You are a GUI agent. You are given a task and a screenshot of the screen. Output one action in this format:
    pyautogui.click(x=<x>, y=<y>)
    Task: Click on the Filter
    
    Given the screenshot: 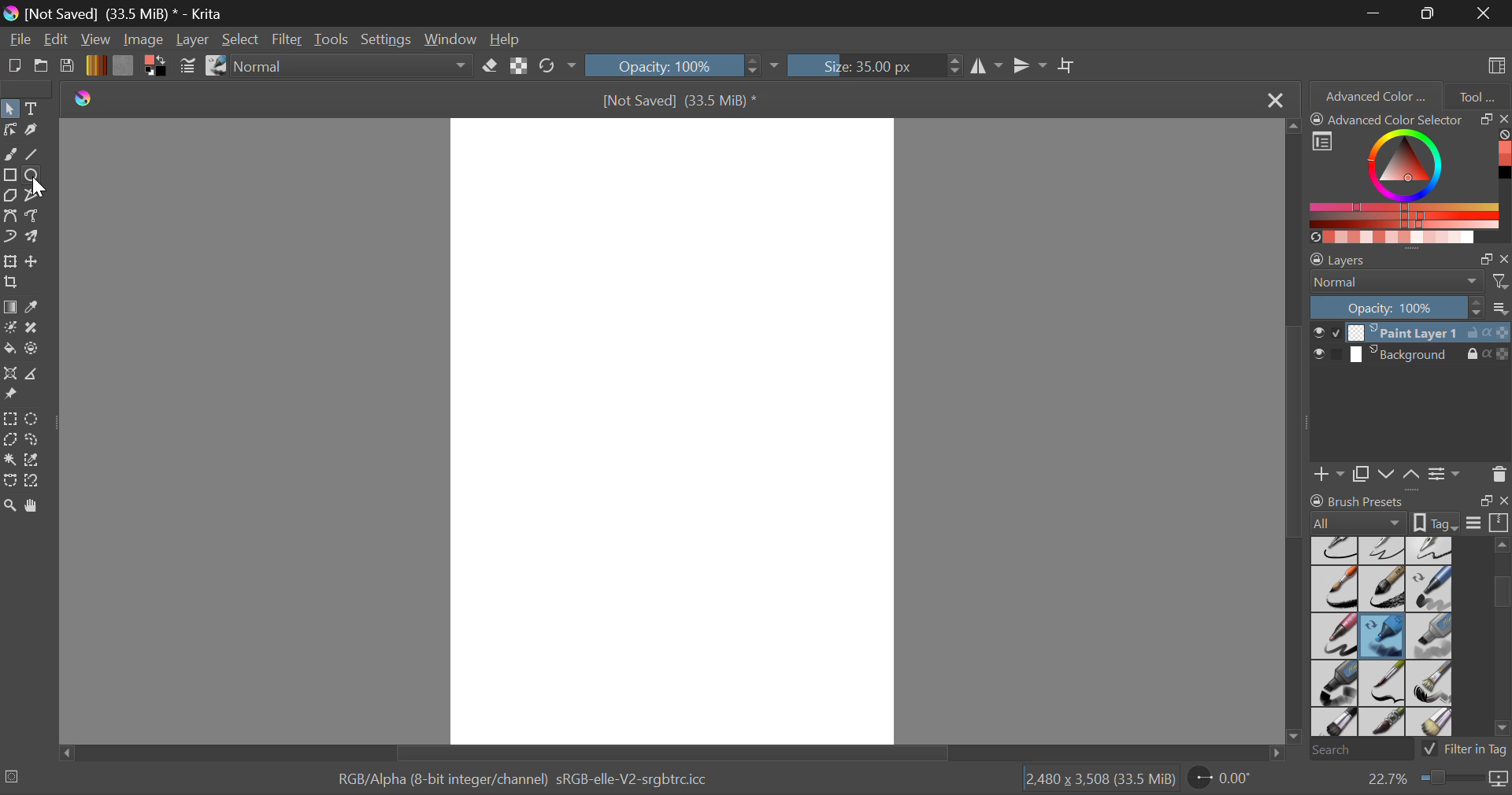 What is the action you would take?
    pyautogui.click(x=289, y=40)
    